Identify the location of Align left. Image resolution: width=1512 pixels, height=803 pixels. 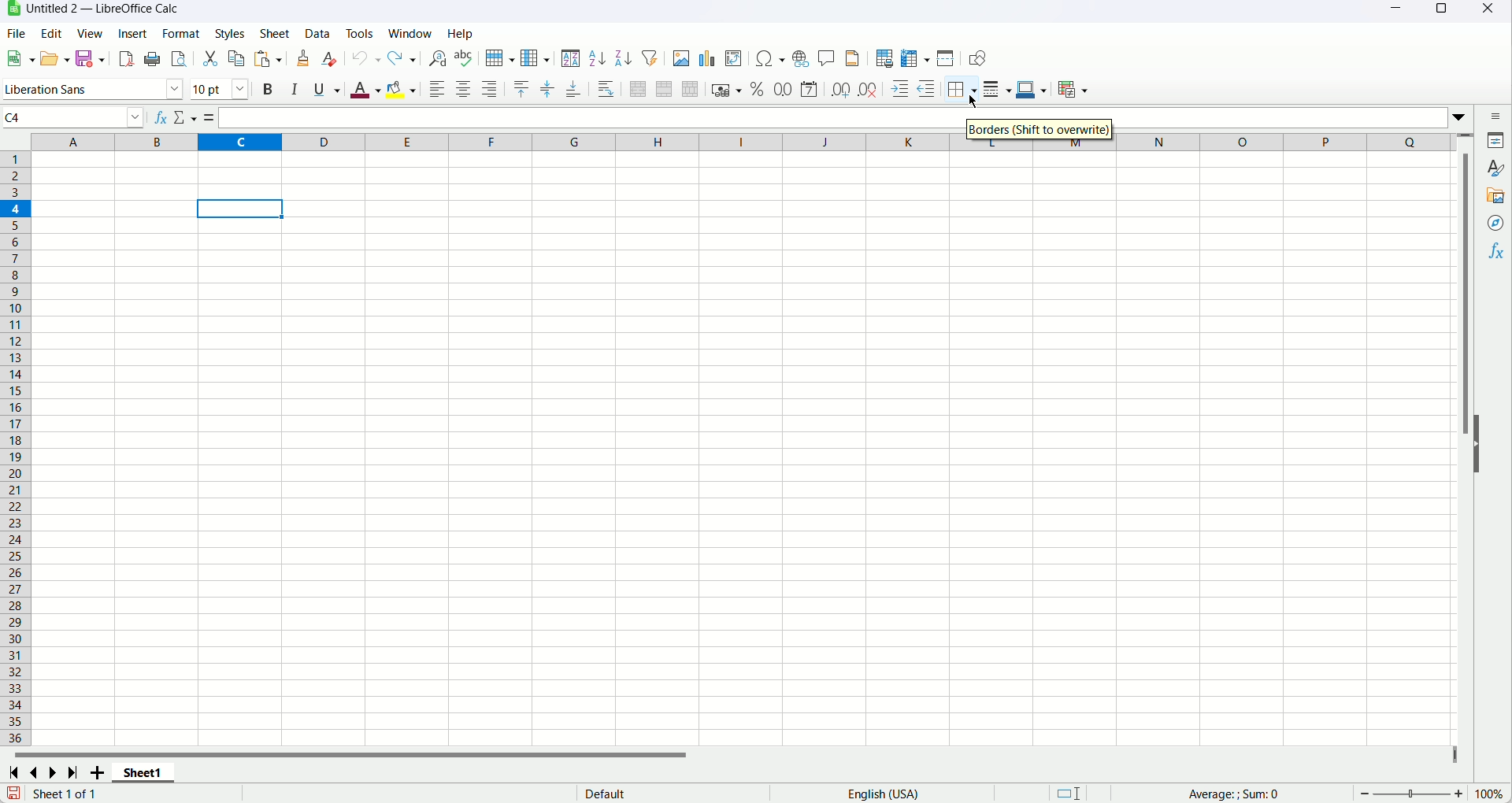
(437, 89).